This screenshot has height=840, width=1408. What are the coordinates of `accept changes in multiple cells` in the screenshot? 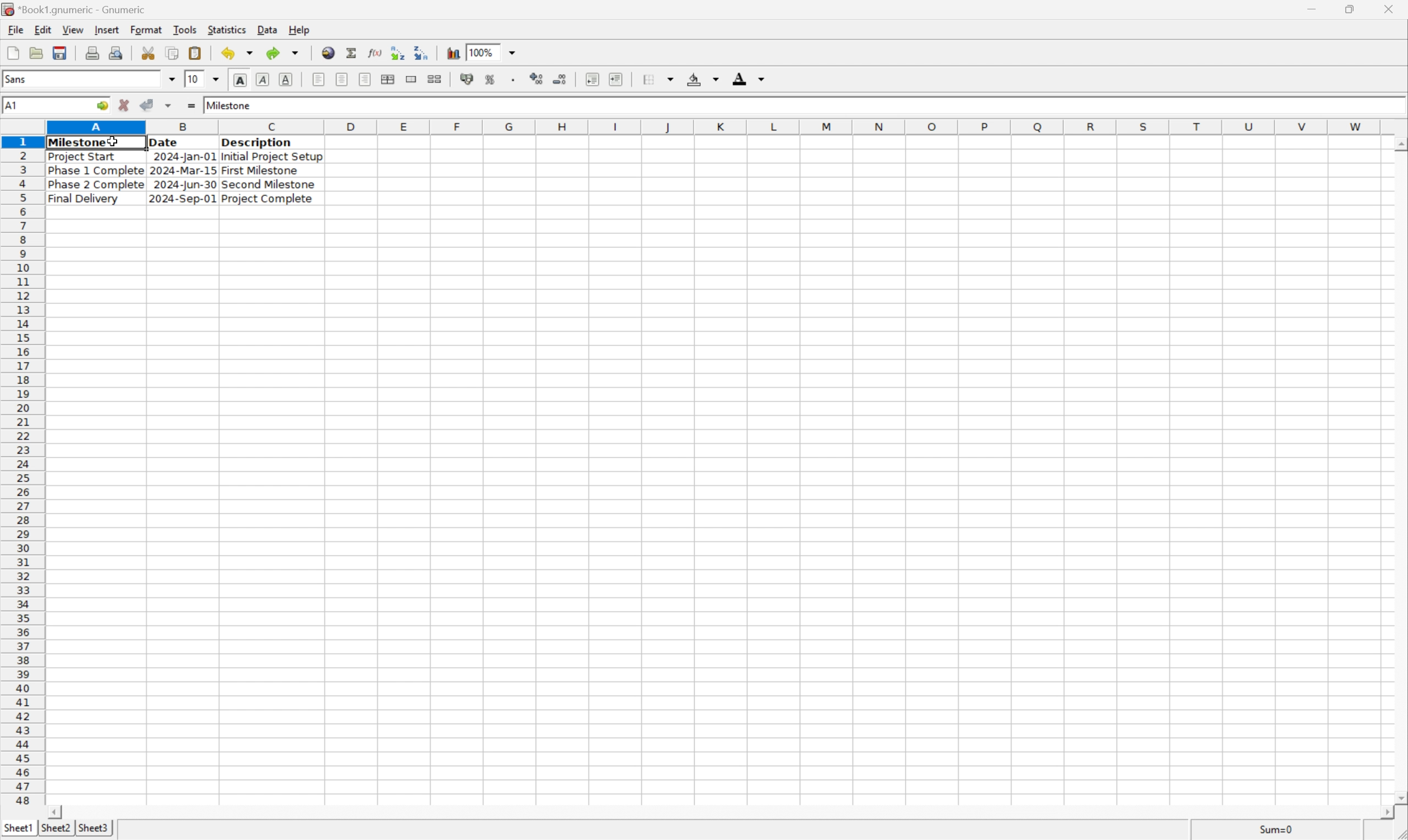 It's located at (170, 108).